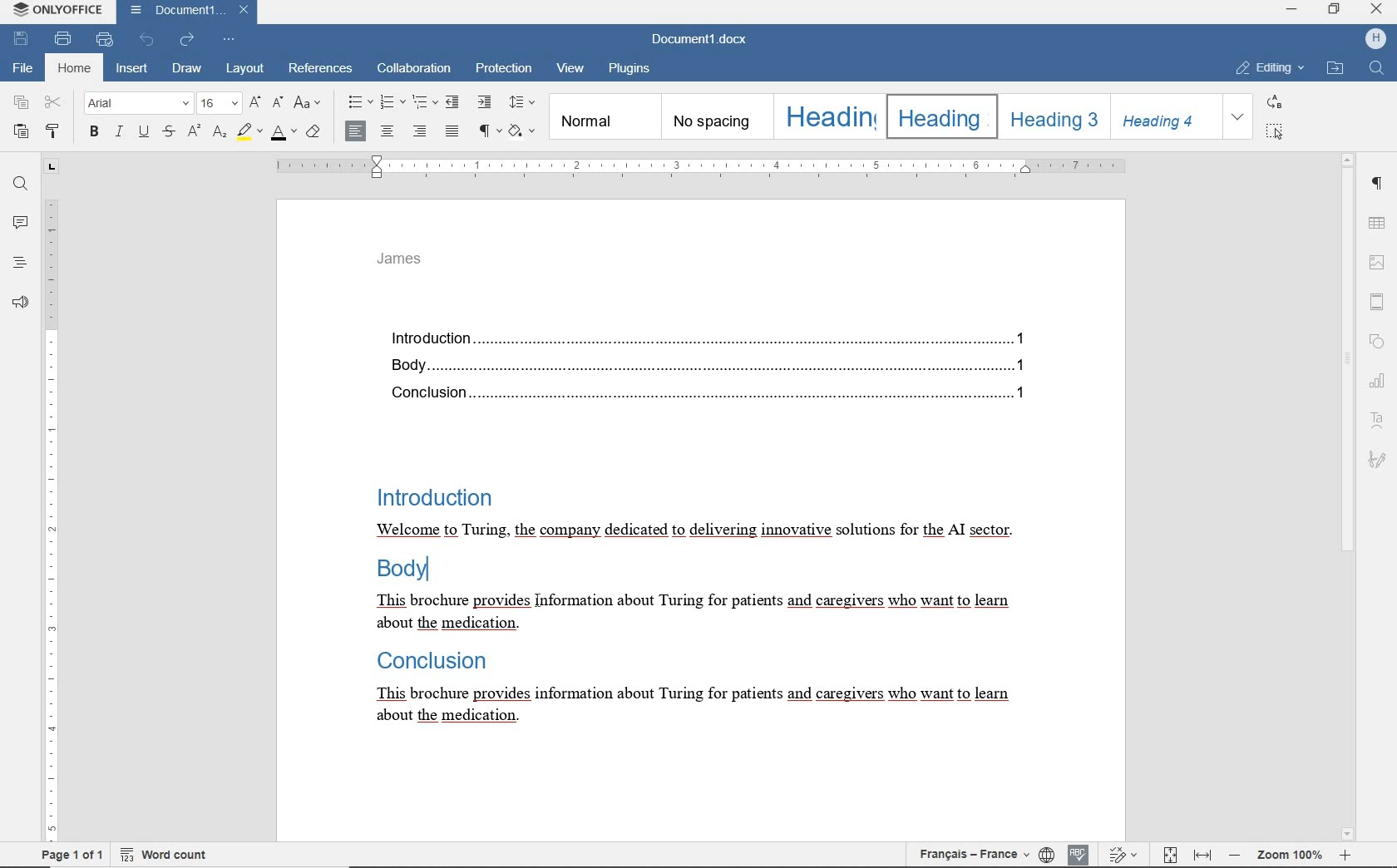 The width and height of the screenshot is (1397, 868). What do you see at coordinates (146, 39) in the screenshot?
I see `UNDO` at bounding box center [146, 39].